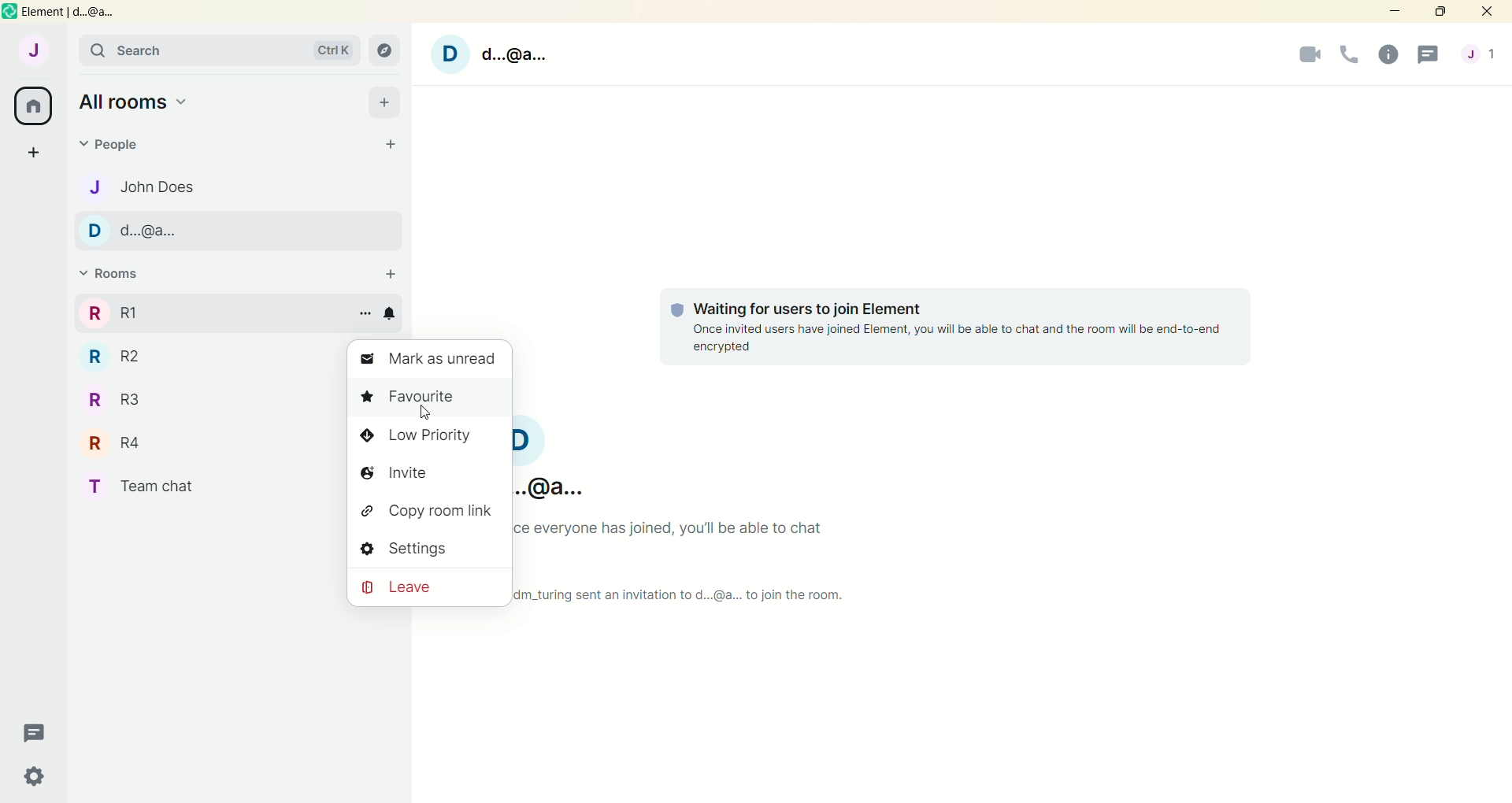 This screenshot has width=1512, height=803. I want to click on Add Chat, so click(37, 154).